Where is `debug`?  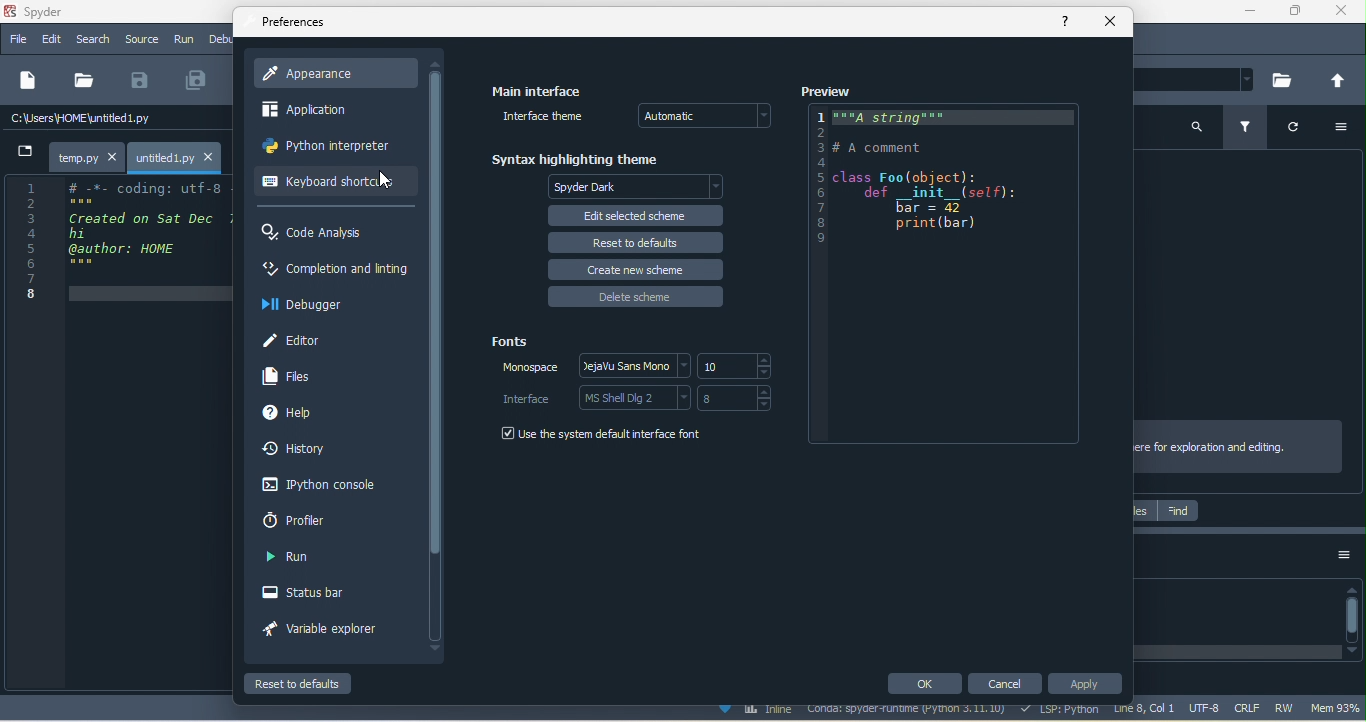 debug is located at coordinates (221, 38).